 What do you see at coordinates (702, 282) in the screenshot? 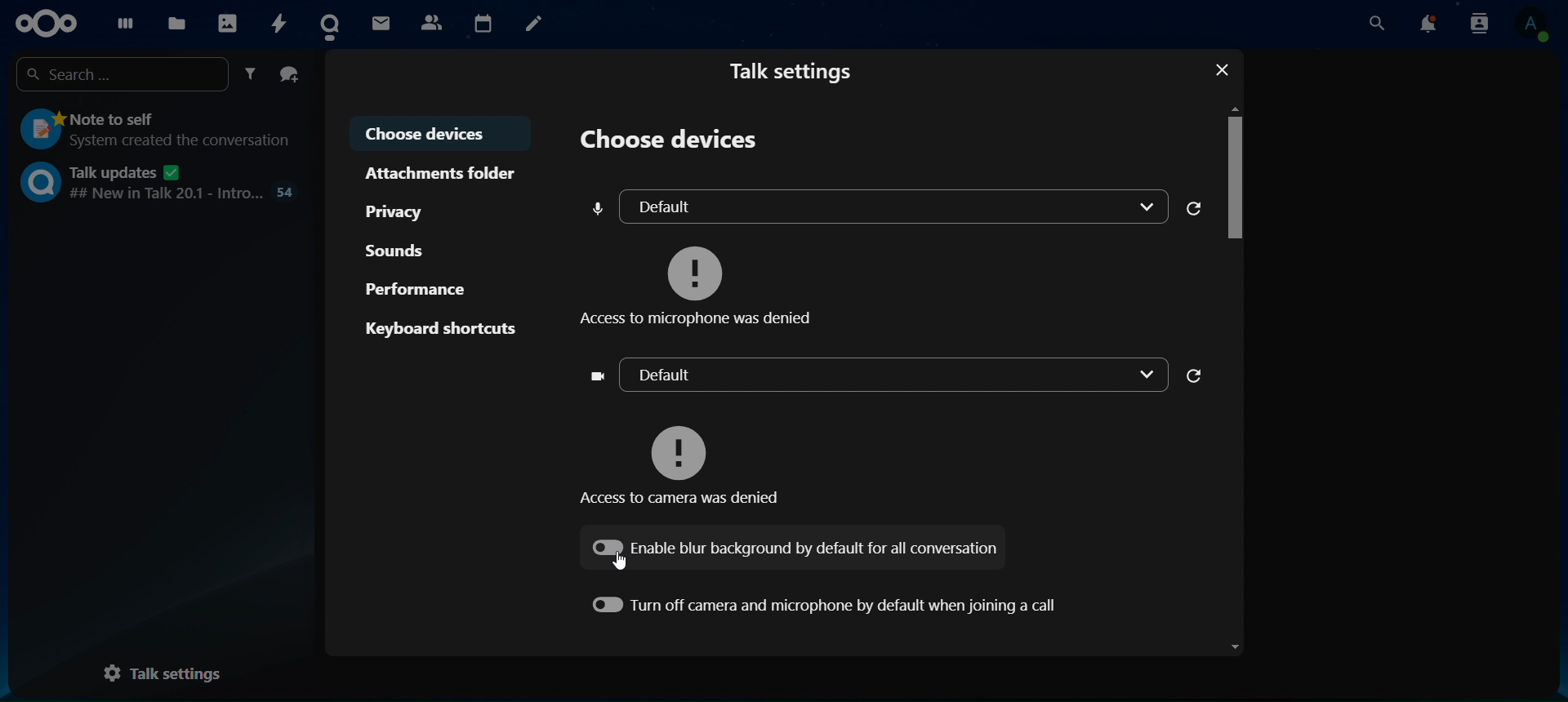
I see `access to microphone was denied` at bounding box center [702, 282].